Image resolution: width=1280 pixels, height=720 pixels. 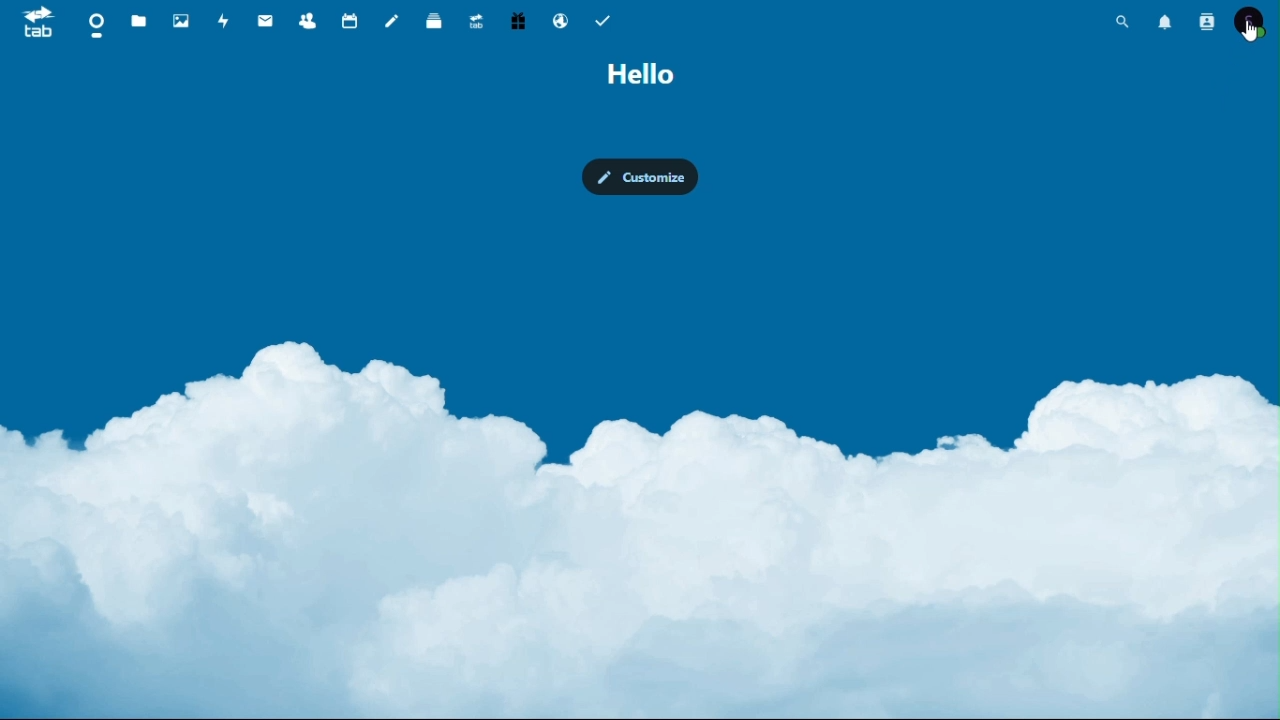 I want to click on task, so click(x=603, y=18).